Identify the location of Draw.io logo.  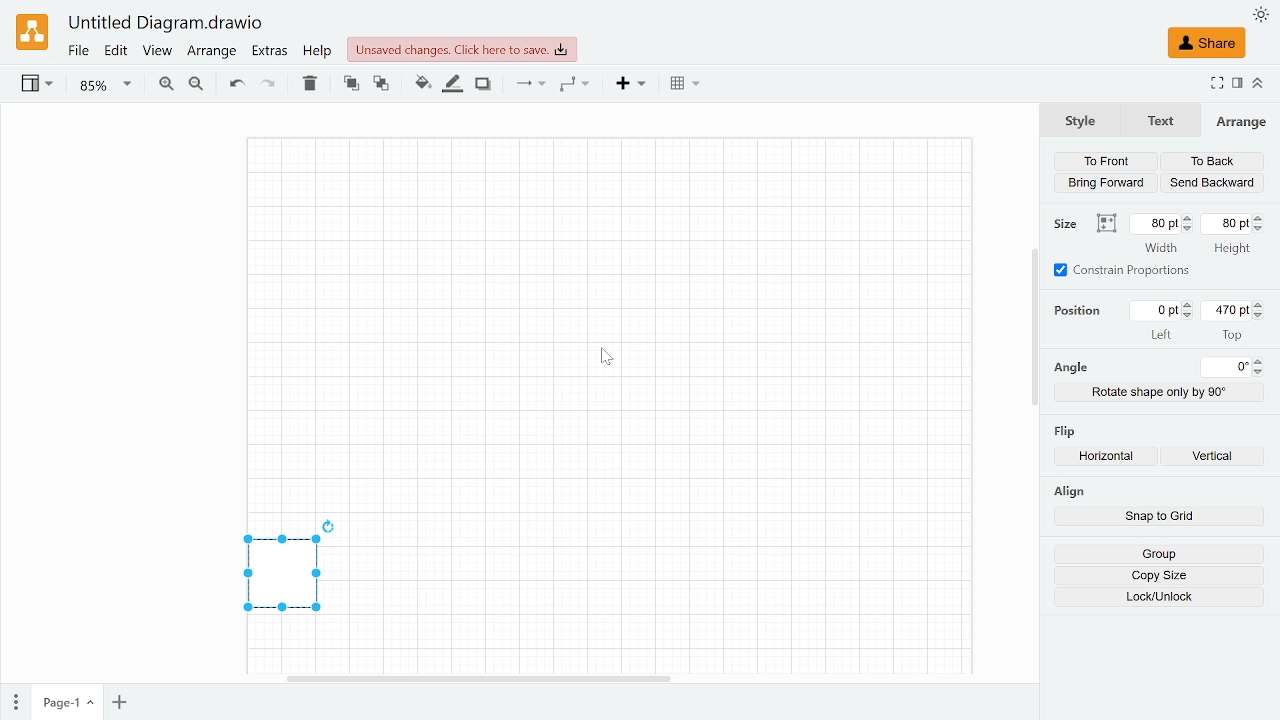
(34, 31).